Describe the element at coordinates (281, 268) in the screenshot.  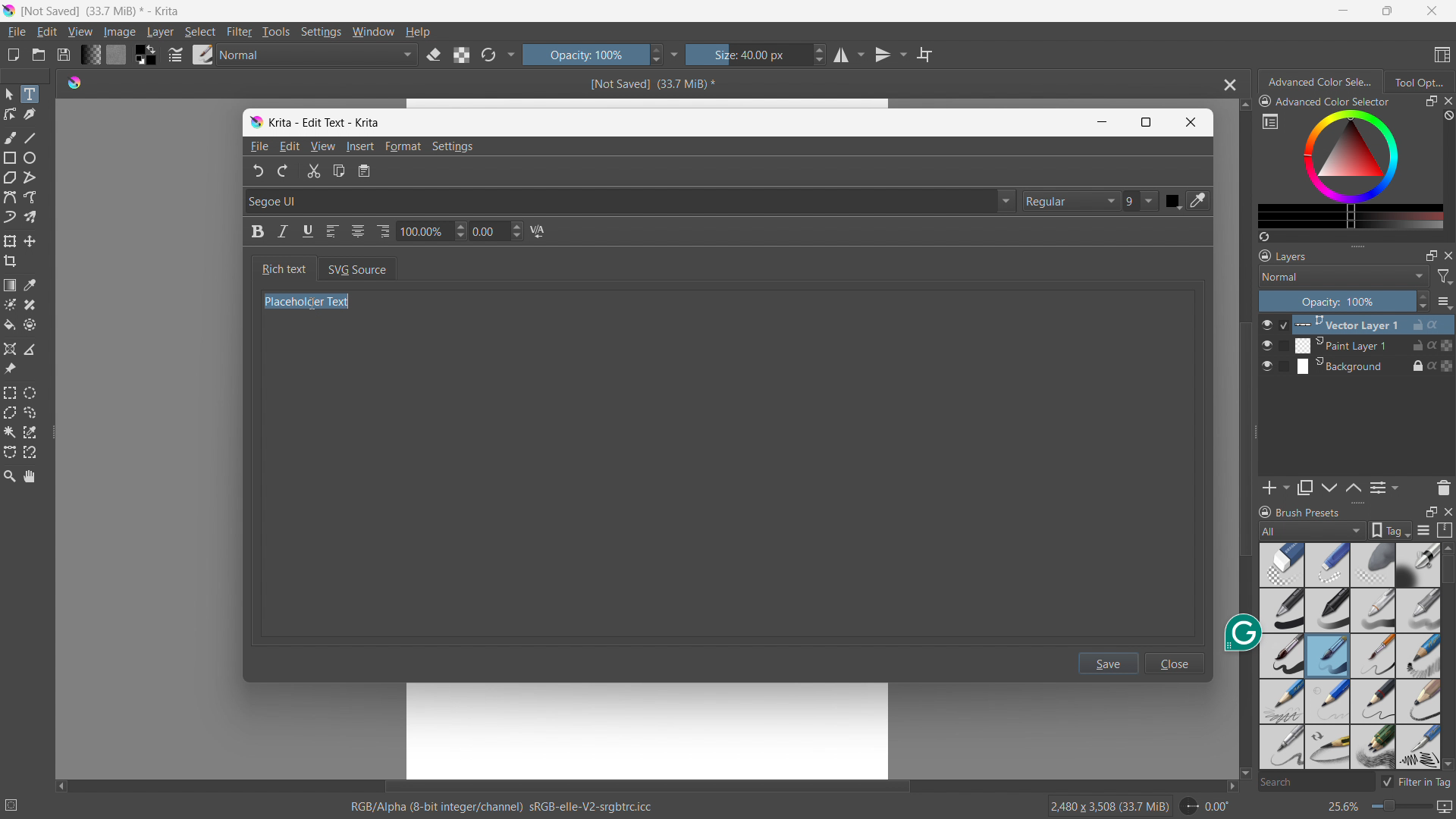
I see `Rich text` at that location.